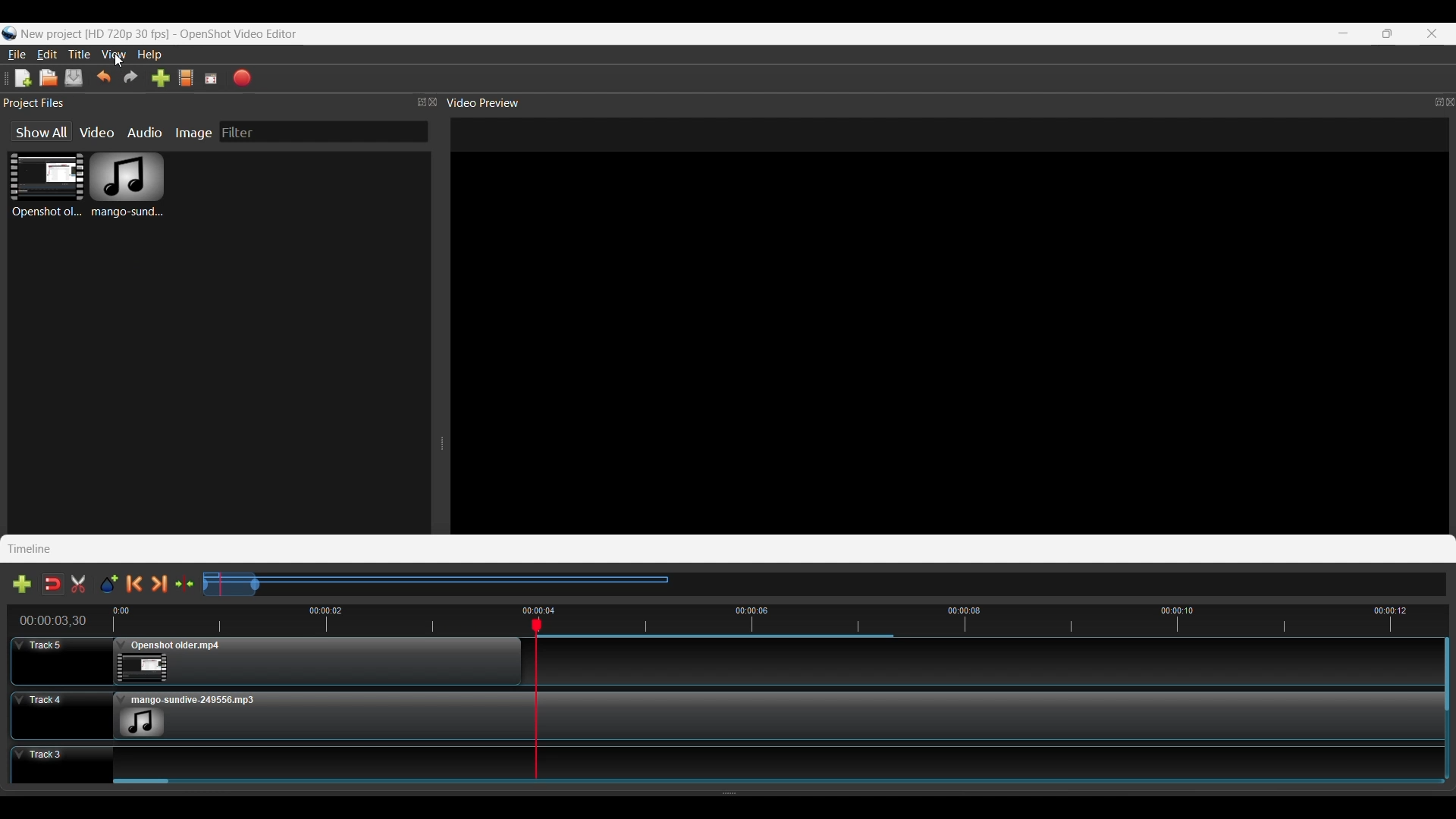 This screenshot has width=1456, height=819. I want to click on Previous Marker, so click(135, 584).